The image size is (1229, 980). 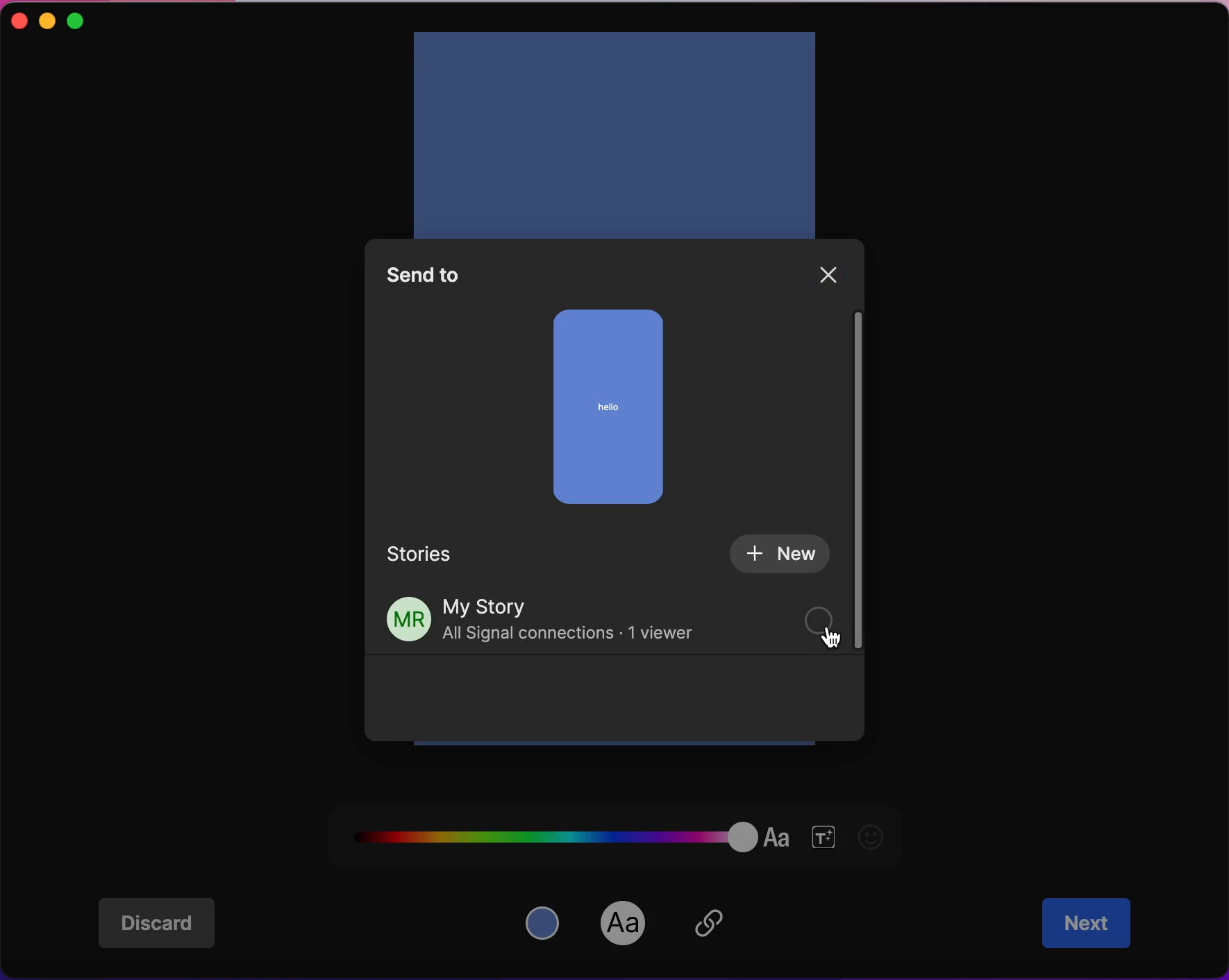 I want to click on next, so click(x=1089, y=924).